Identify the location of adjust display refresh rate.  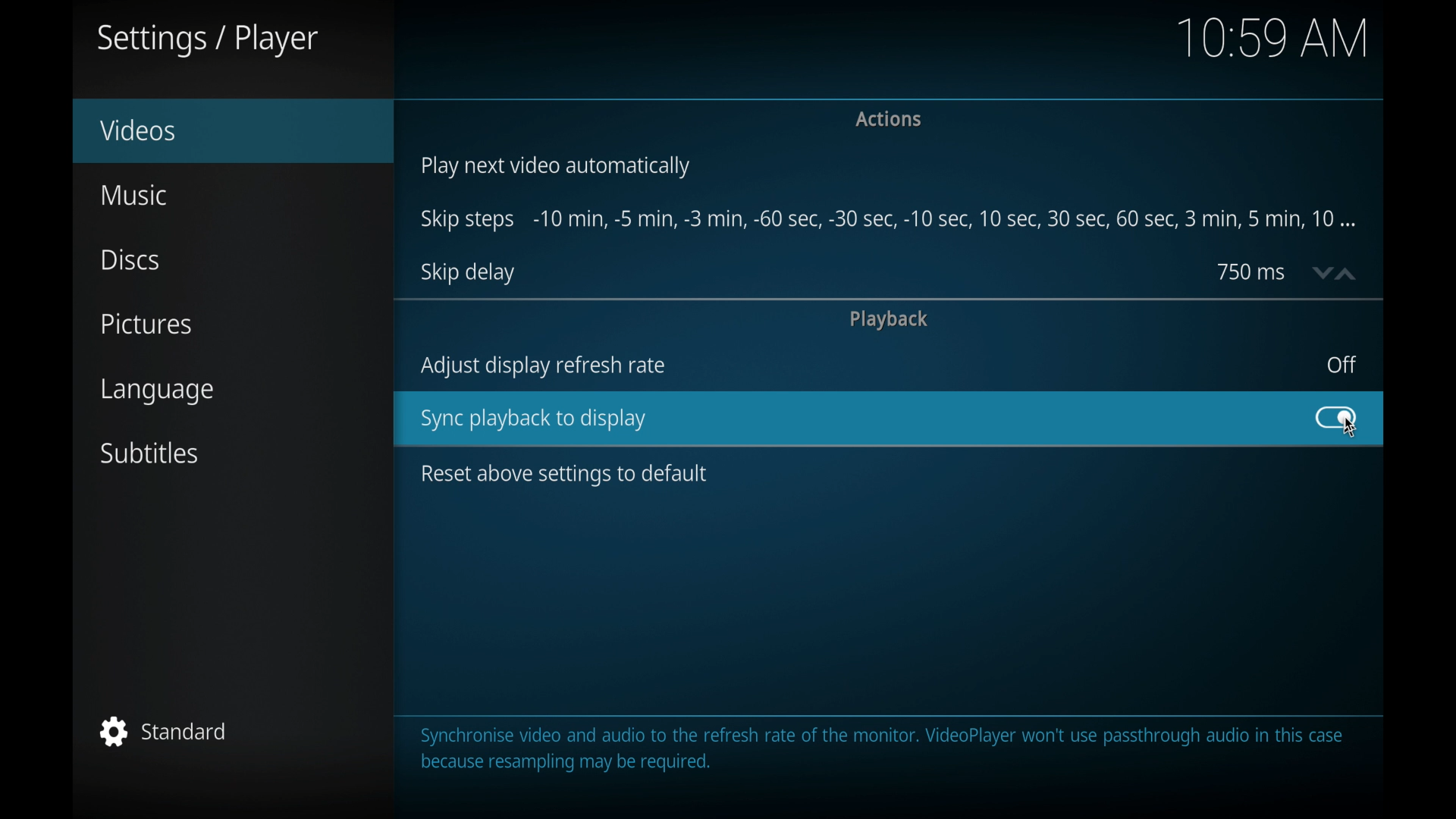
(541, 367).